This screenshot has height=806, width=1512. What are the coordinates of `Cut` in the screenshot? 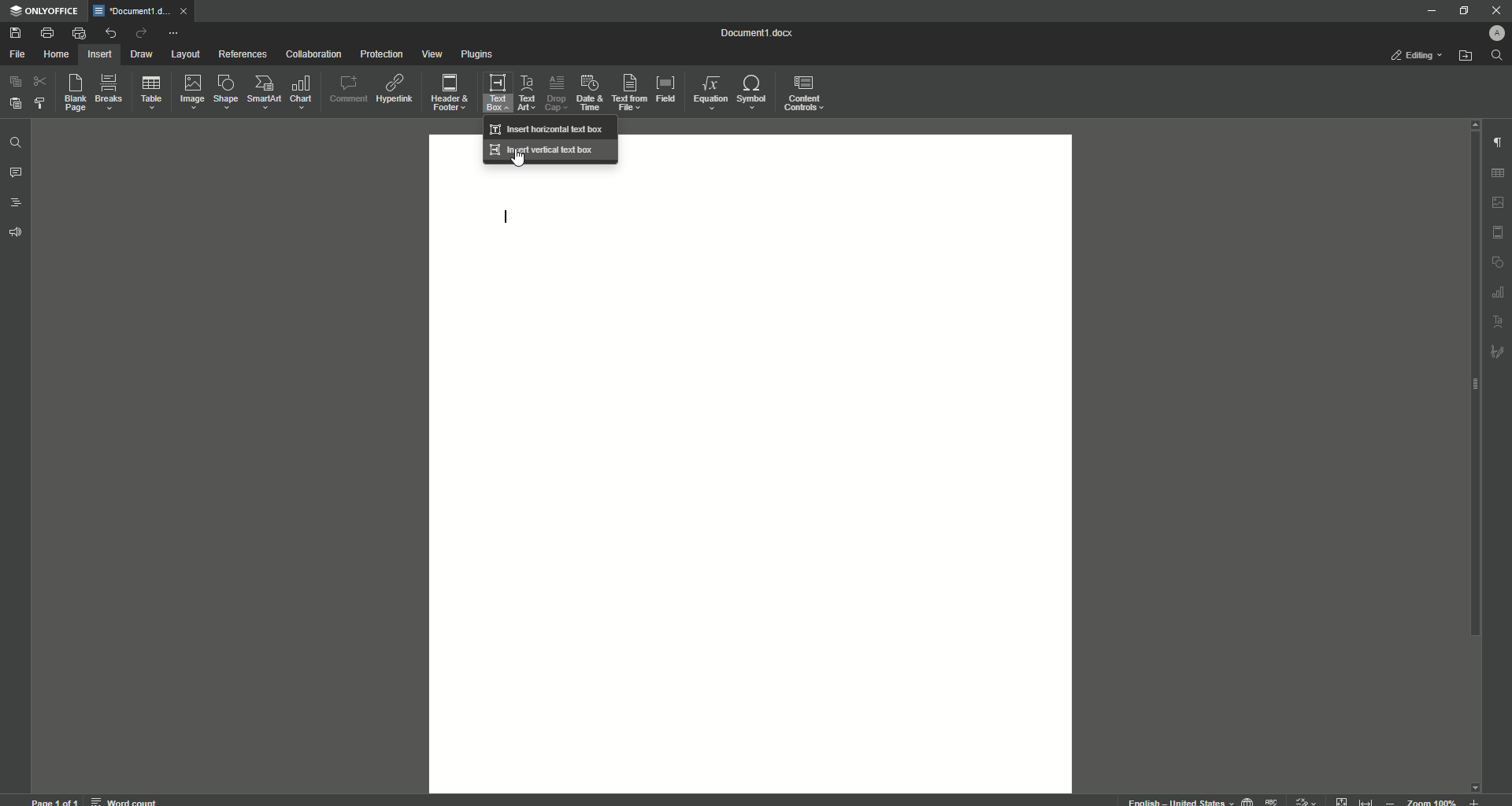 It's located at (42, 80).